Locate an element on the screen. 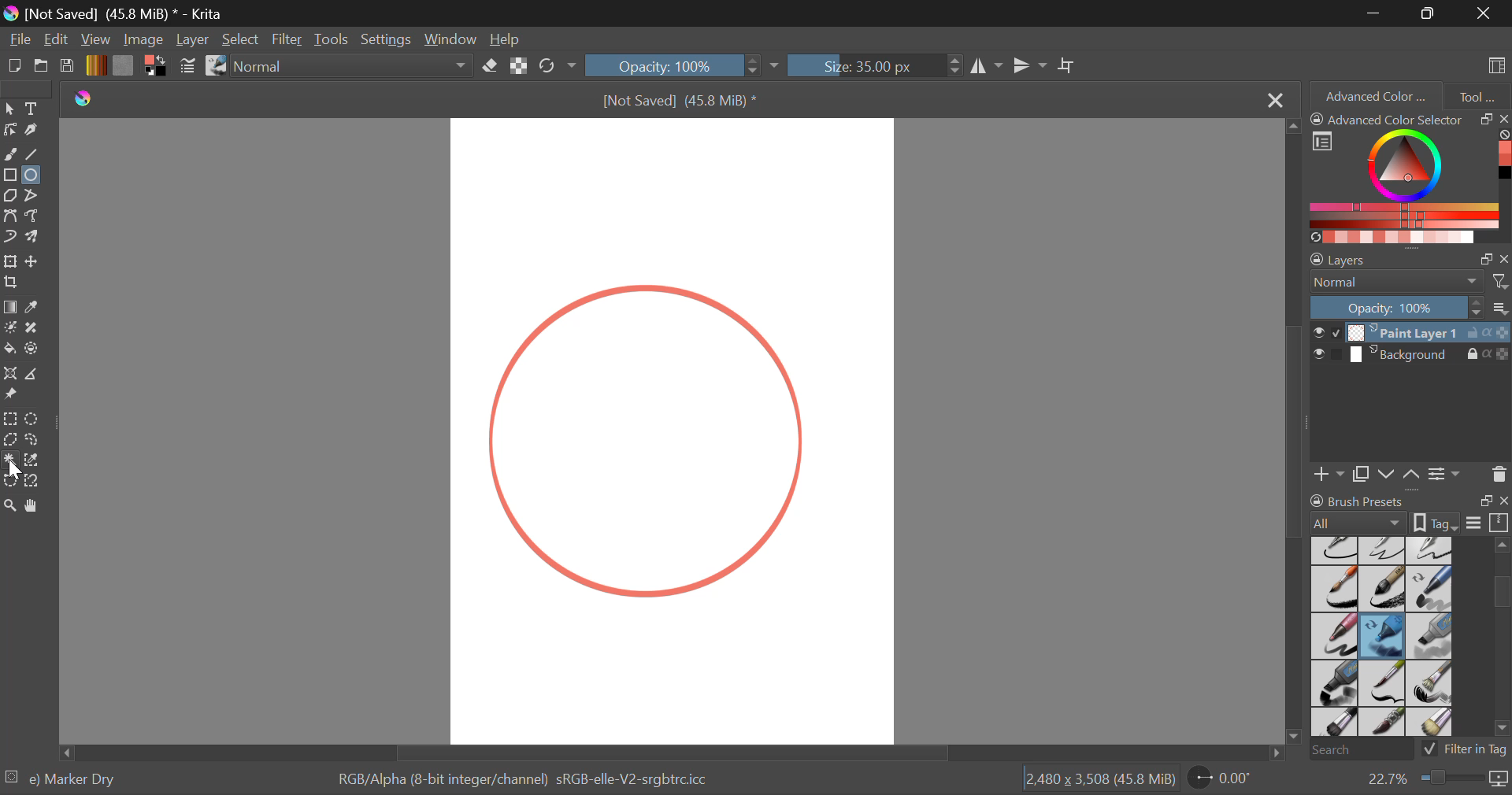  [Not Saved] (45.8 MiB) * is located at coordinates (682, 102).